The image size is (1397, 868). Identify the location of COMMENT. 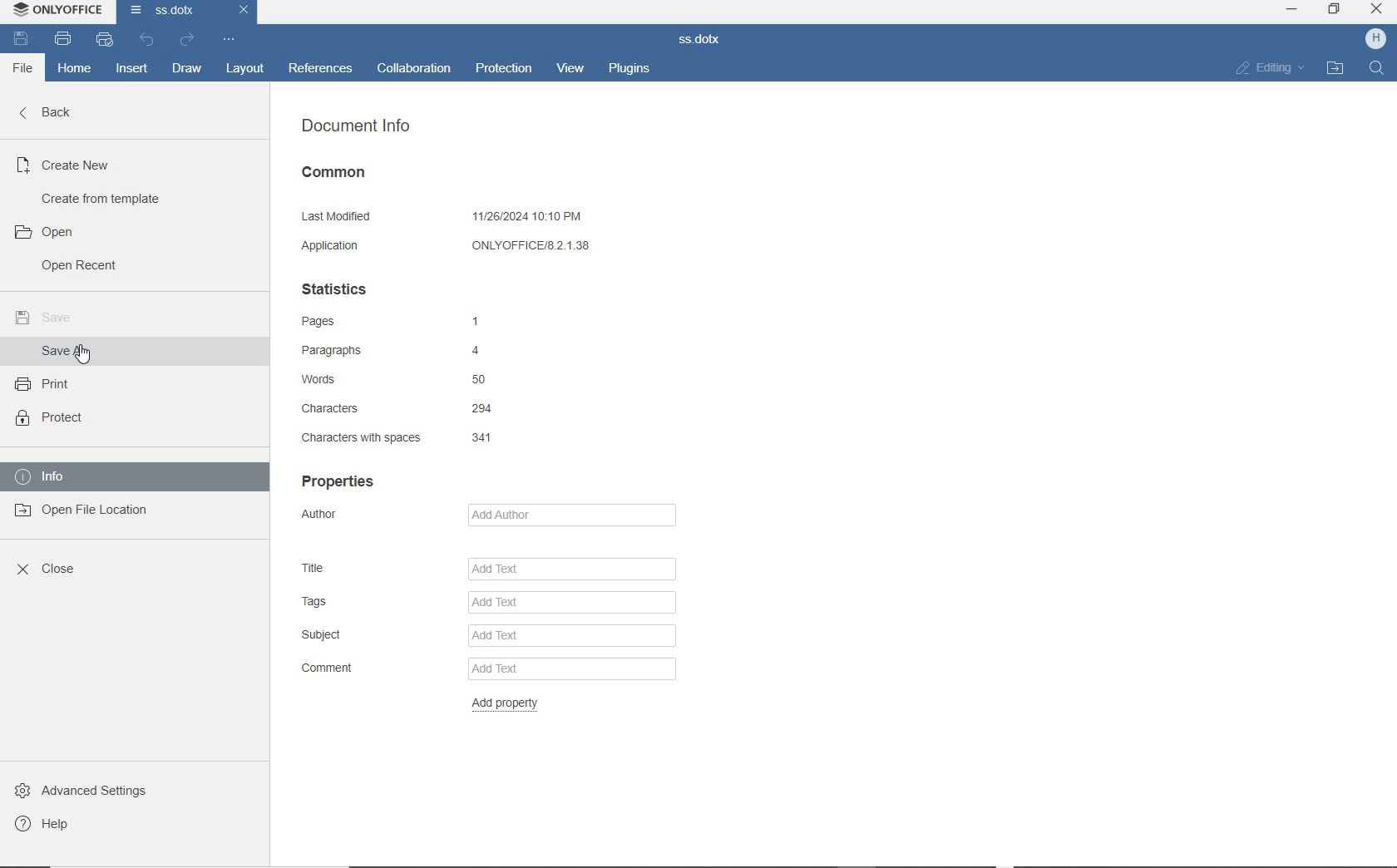
(482, 668).